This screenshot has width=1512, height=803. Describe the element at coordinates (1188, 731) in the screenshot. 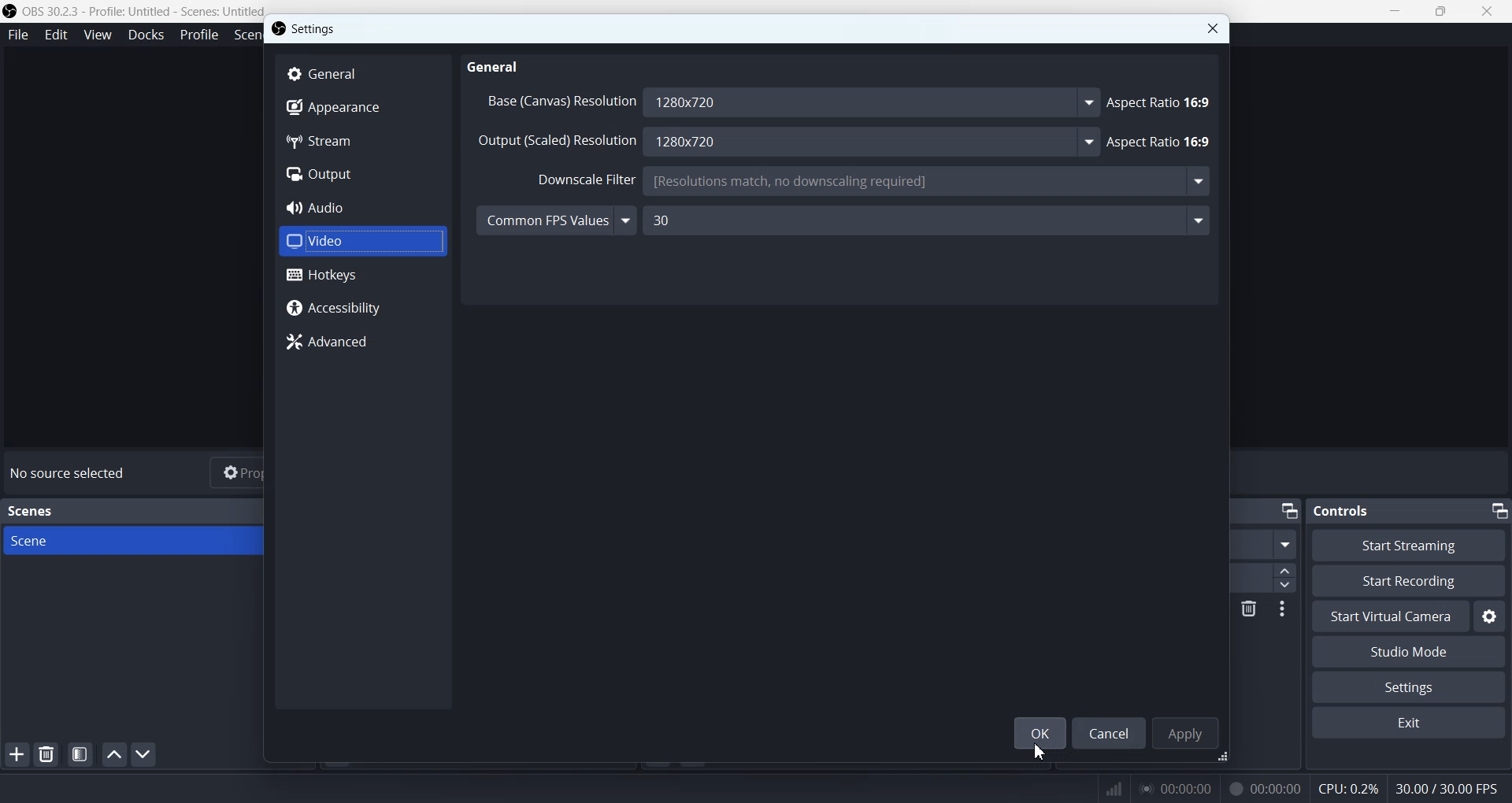

I see `Apply` at that location.